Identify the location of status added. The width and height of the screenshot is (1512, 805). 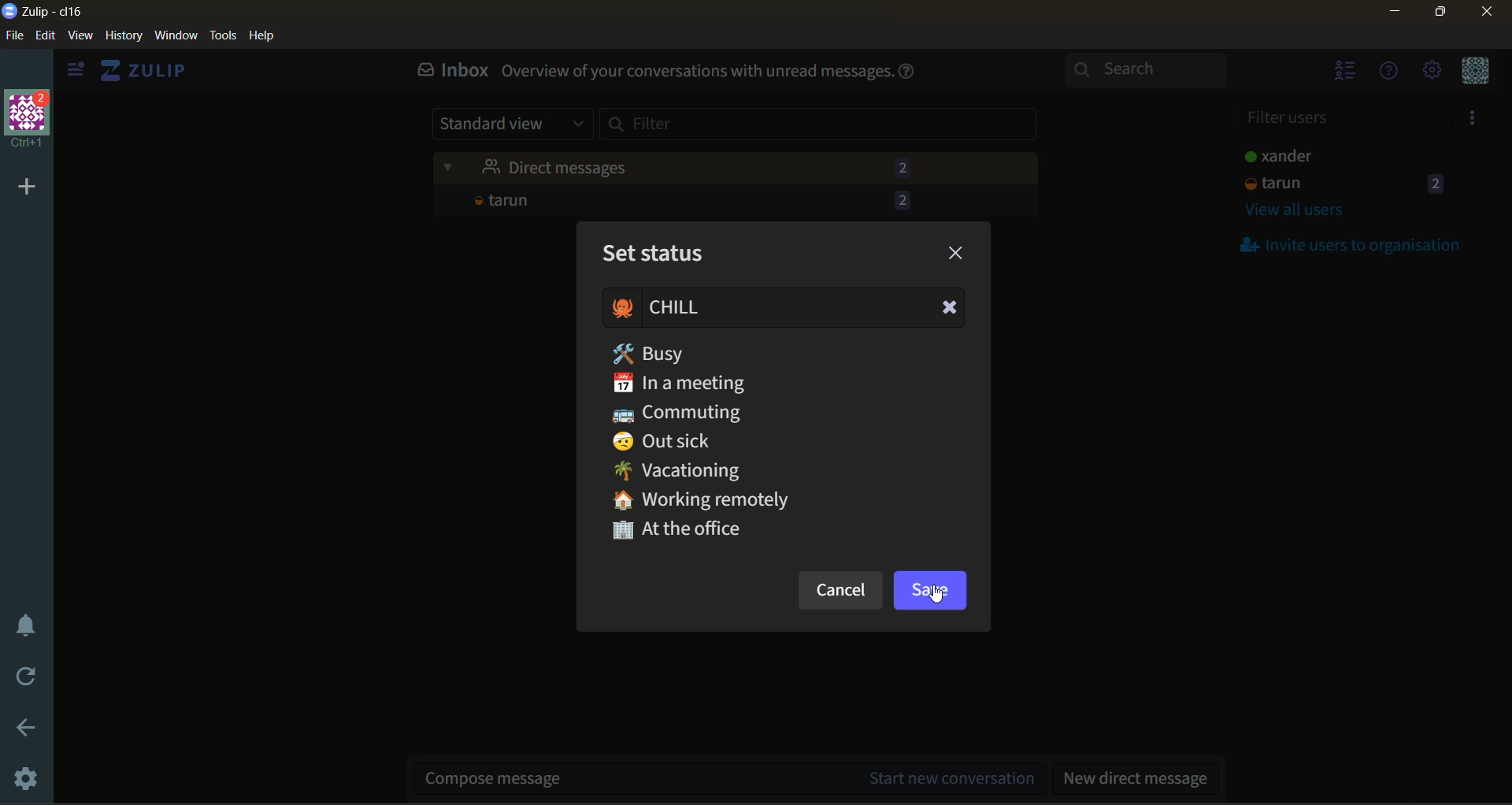
(674, 307).